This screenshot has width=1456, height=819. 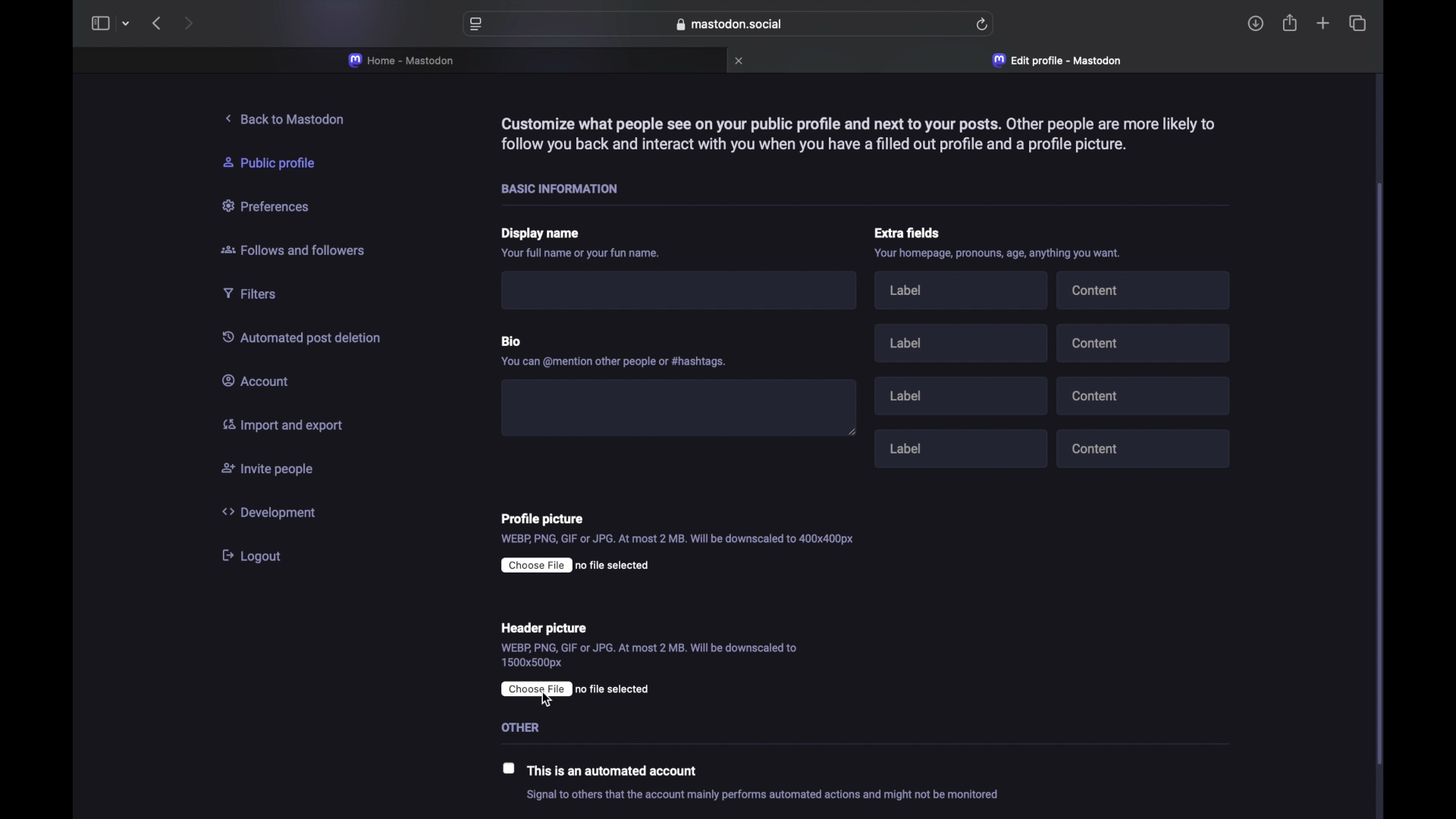 I want to click on content, so click(x=1145, y=450).